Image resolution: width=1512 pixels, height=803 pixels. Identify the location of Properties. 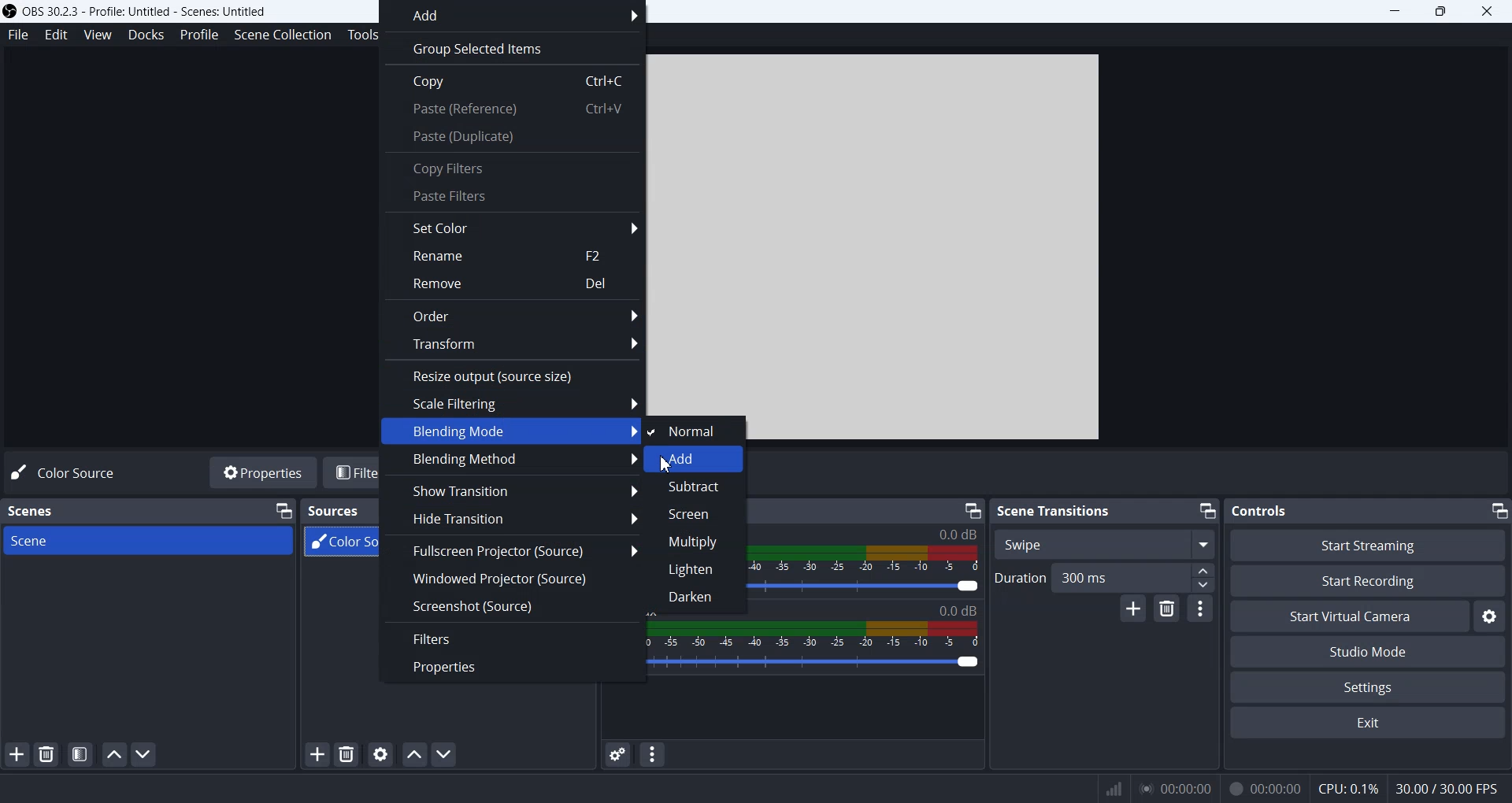
(512, 666).